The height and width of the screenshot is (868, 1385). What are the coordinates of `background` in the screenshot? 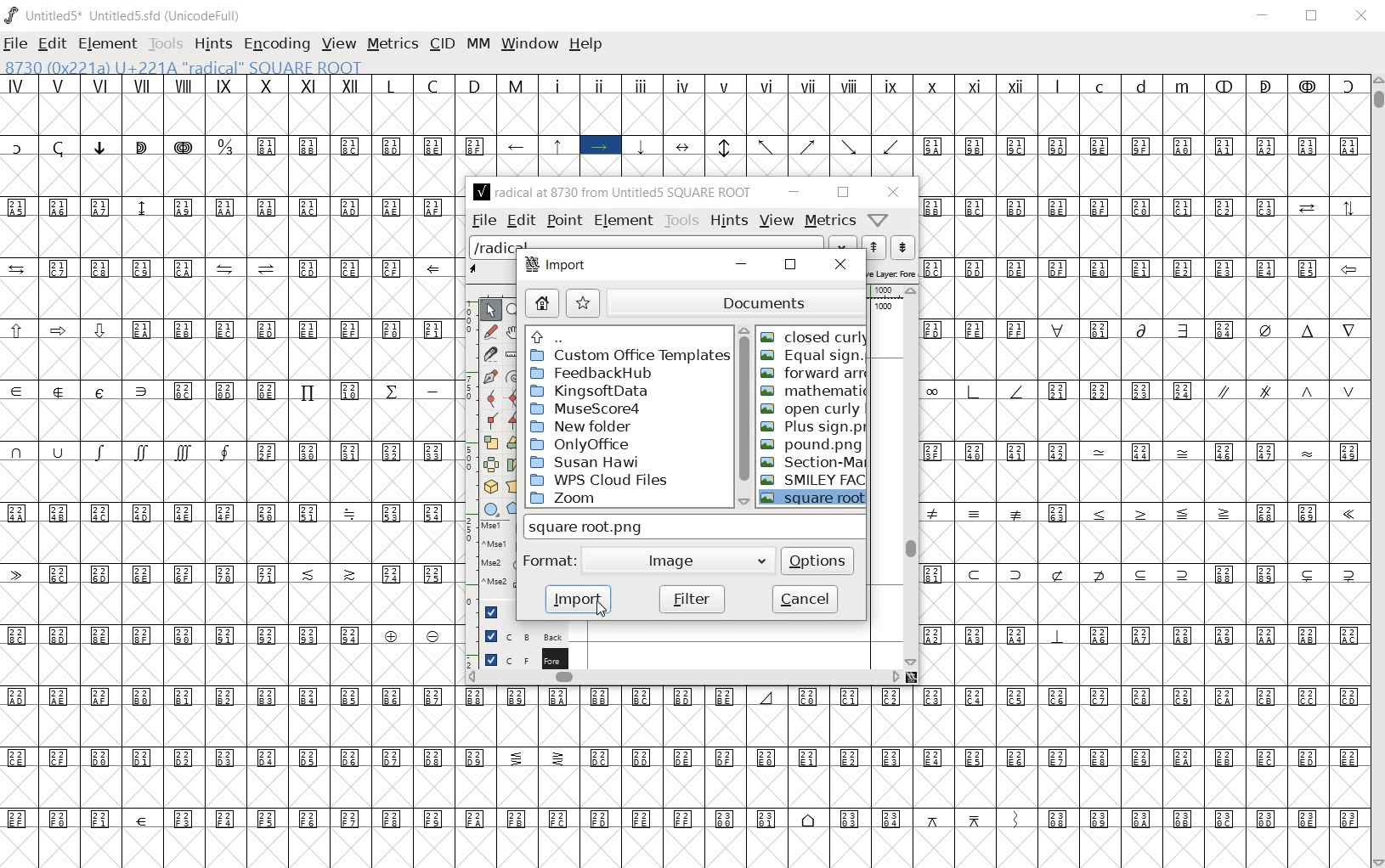 It's located at (516, 636).